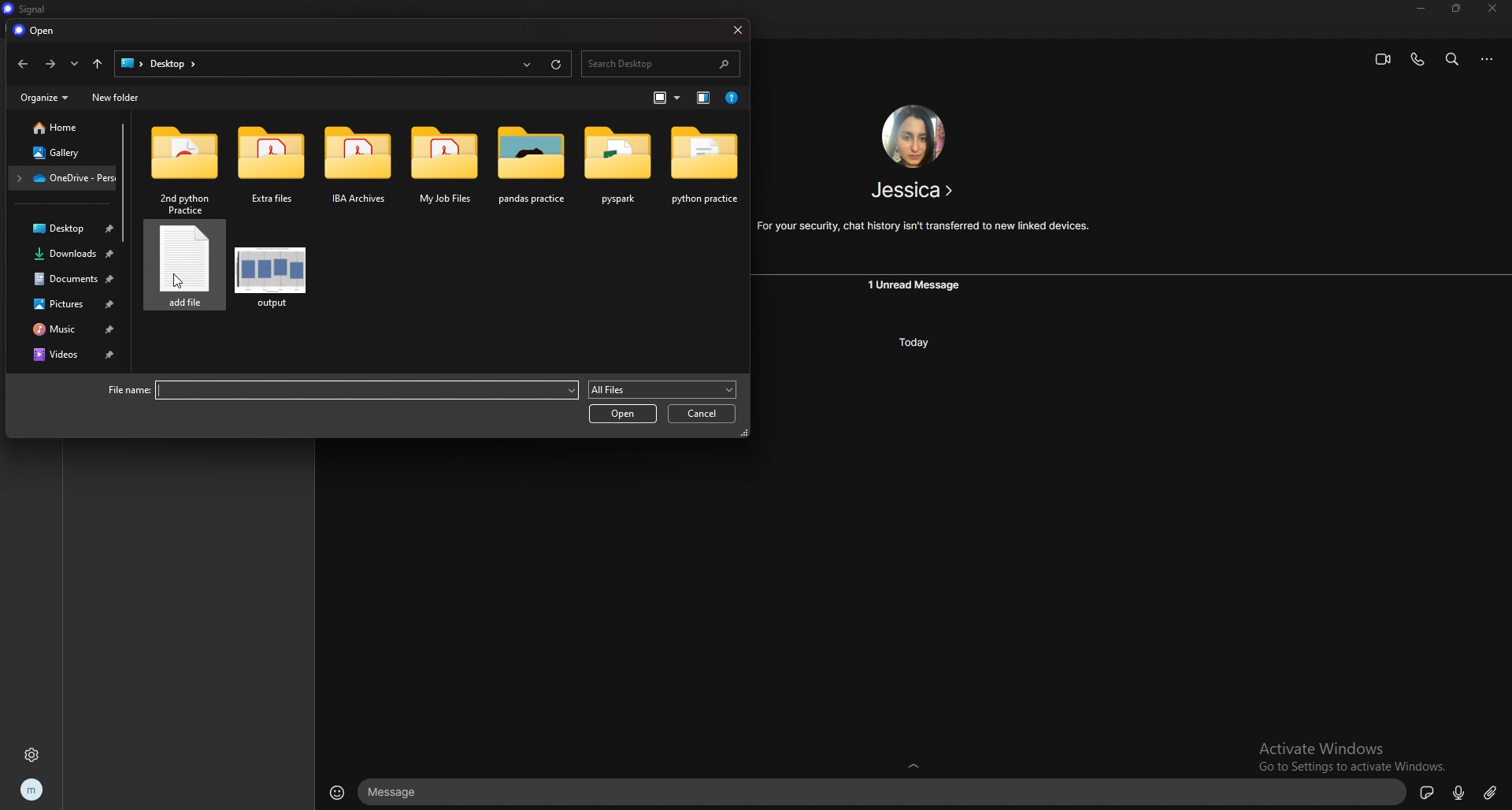  I want to click on title, so click(30, 10).